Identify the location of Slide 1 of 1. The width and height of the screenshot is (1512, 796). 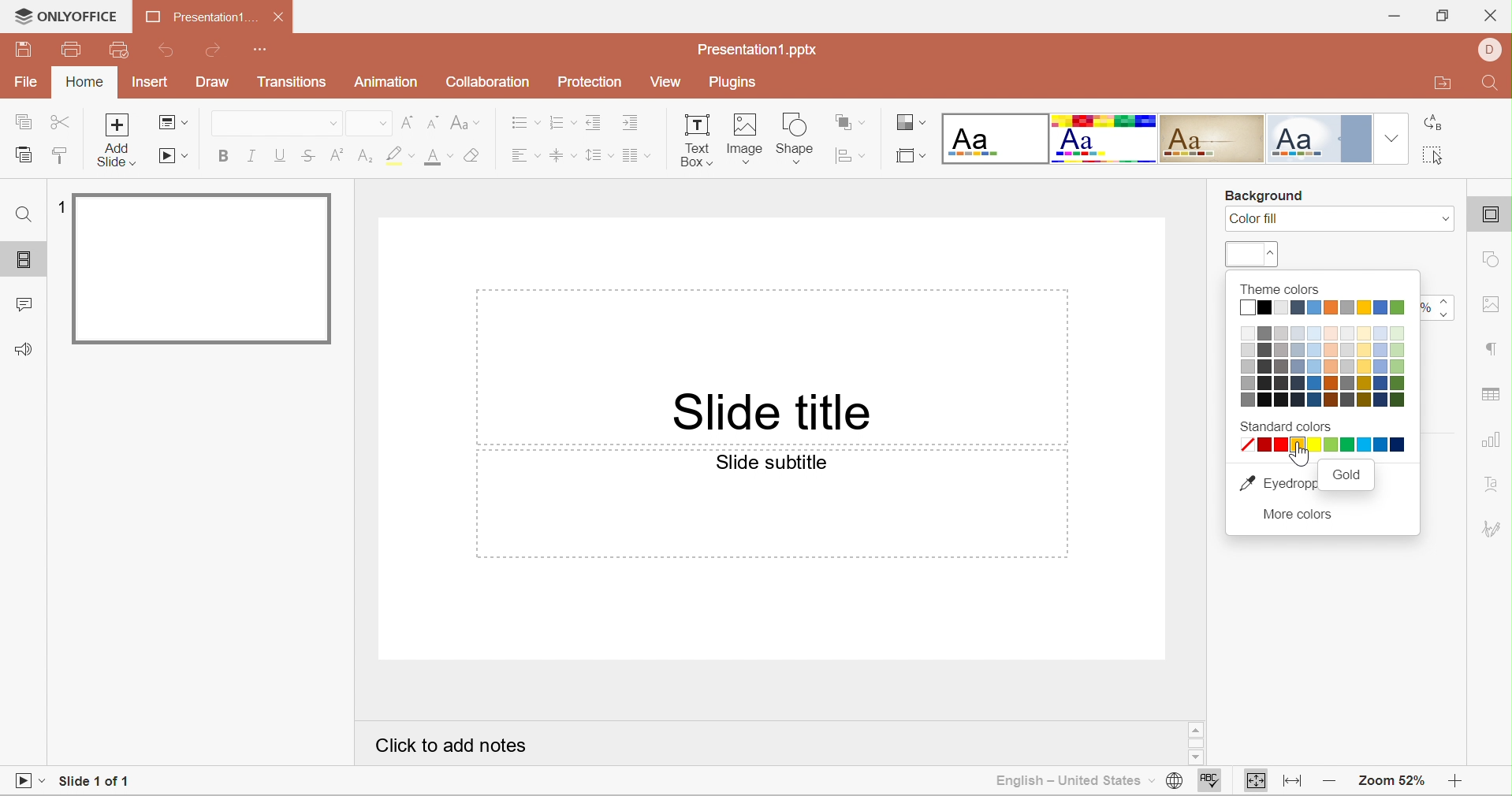
(92, 783).